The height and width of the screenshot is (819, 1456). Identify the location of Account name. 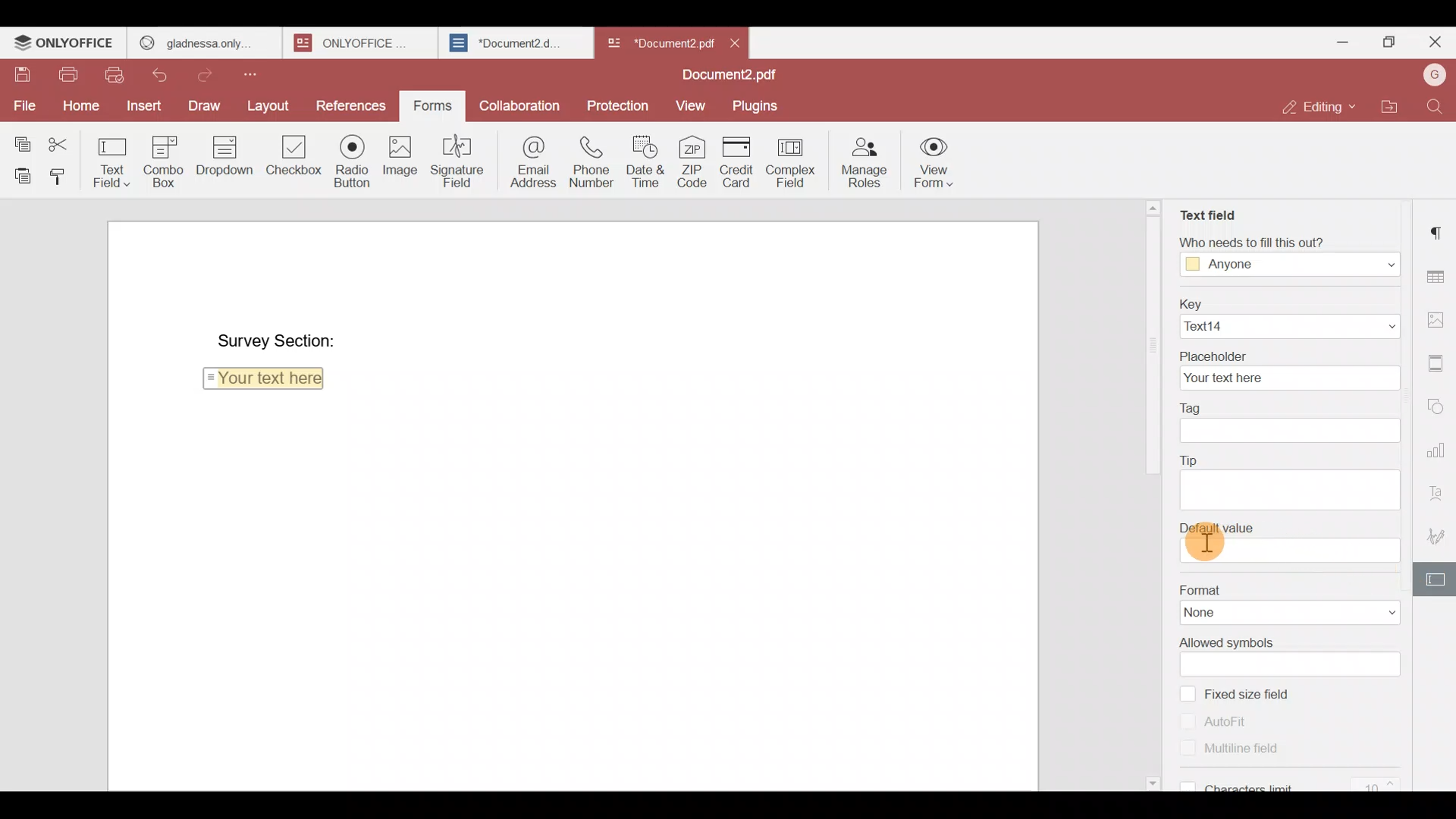
(1434, 75).